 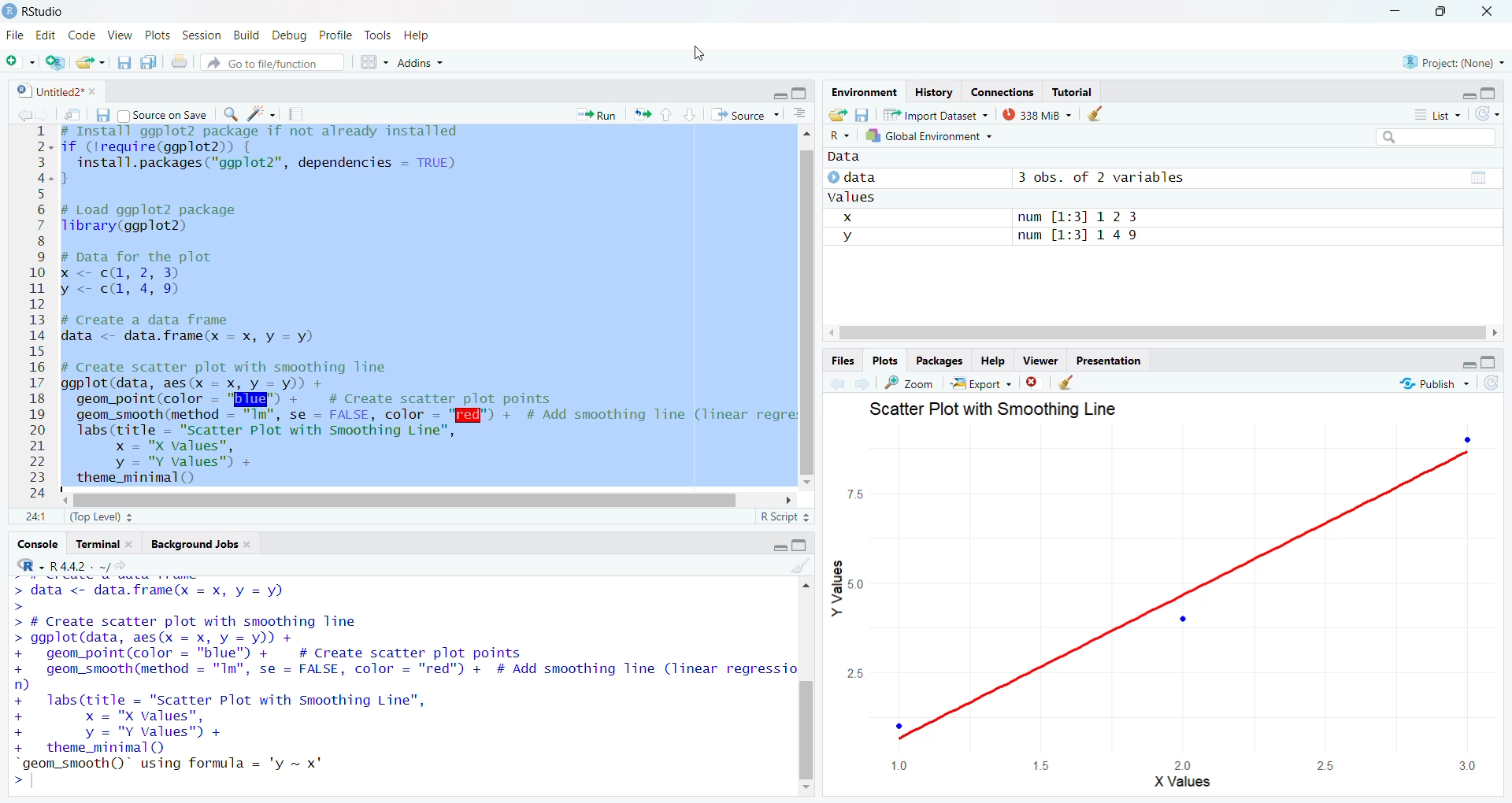 What do you see at coordinates (810, 313) in the screenshot?
I see `vertical scroll bar` at bounding box center [810, 313].